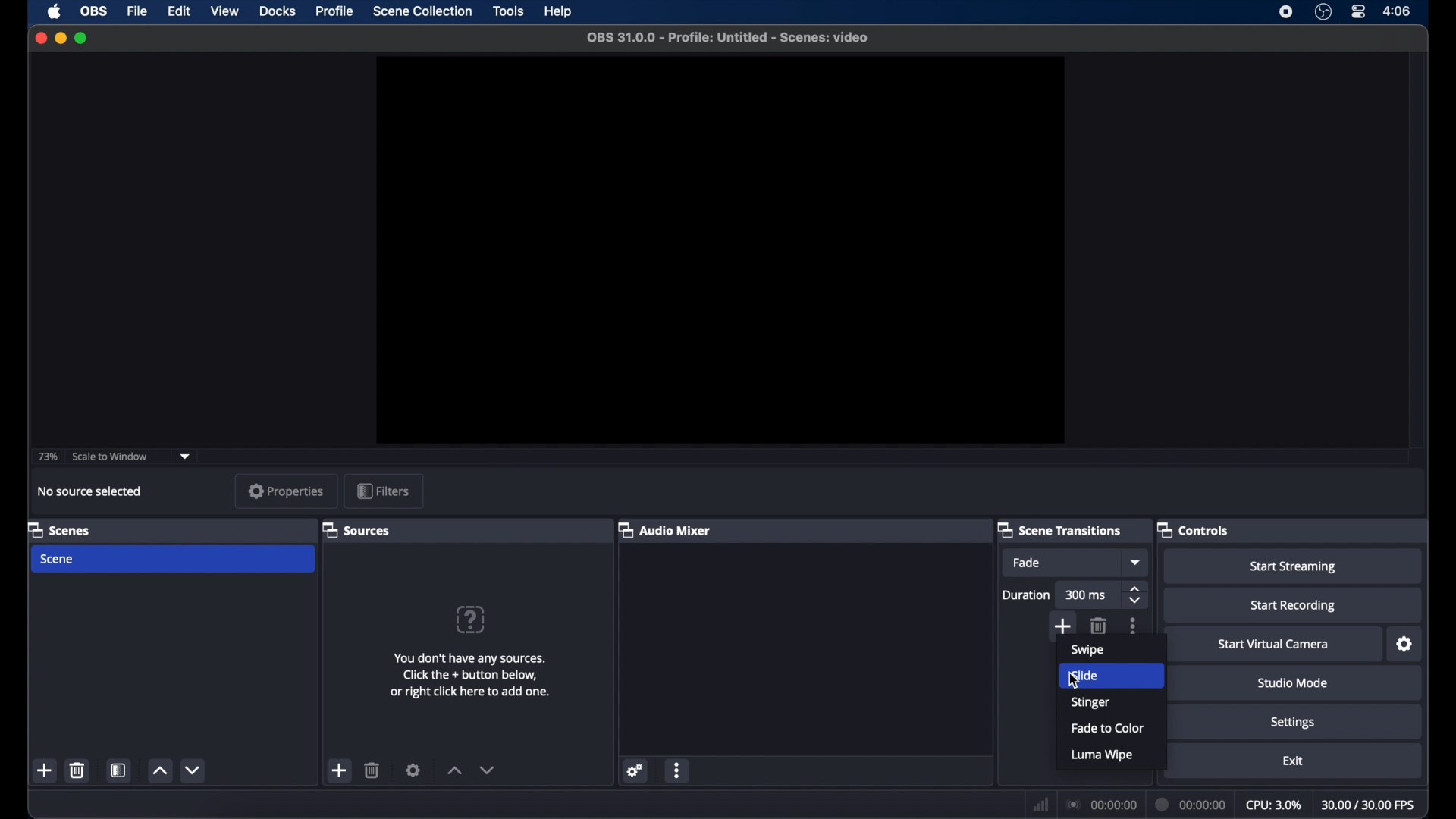  Describe the element at coordinates (1070, 680) in the screenshot. I see `cursor` at that location.